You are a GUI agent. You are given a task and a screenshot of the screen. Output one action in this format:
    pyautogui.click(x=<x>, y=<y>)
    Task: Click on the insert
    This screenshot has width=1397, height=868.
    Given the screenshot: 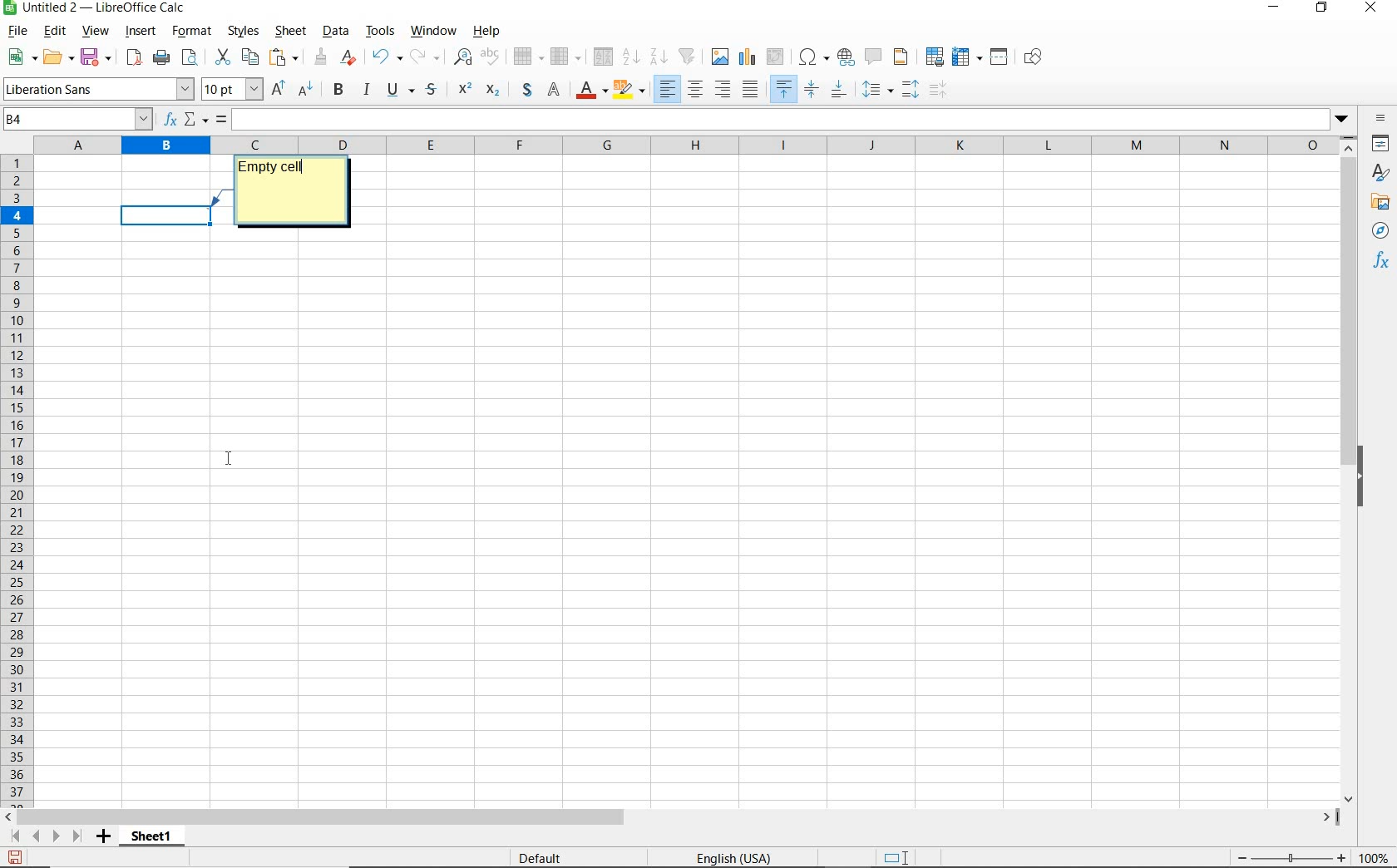 What is the action you would take?
    pyautogui.click(x=141, y=32)
    